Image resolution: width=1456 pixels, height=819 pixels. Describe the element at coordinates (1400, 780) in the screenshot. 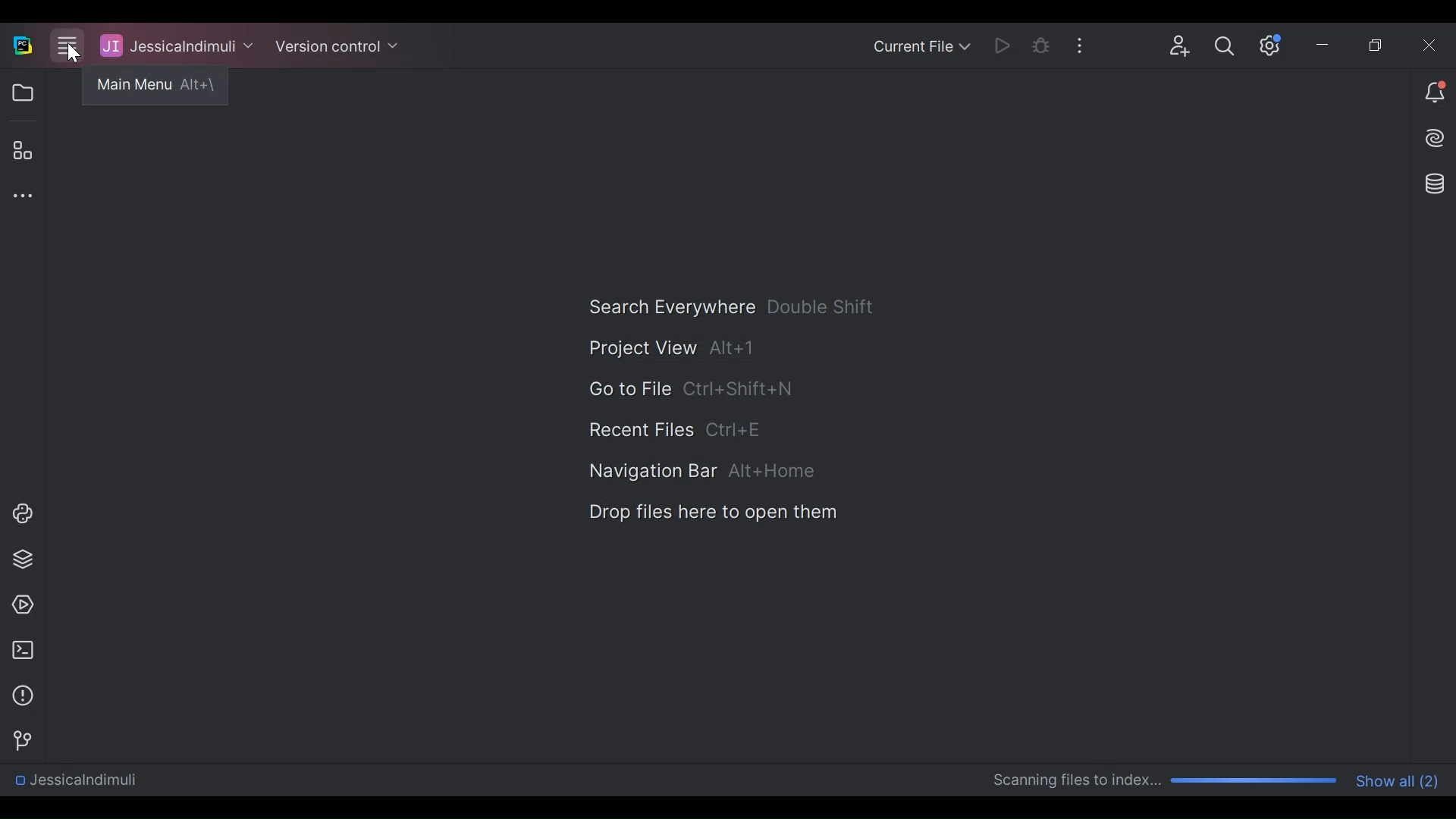

I see `Show all` at that location.